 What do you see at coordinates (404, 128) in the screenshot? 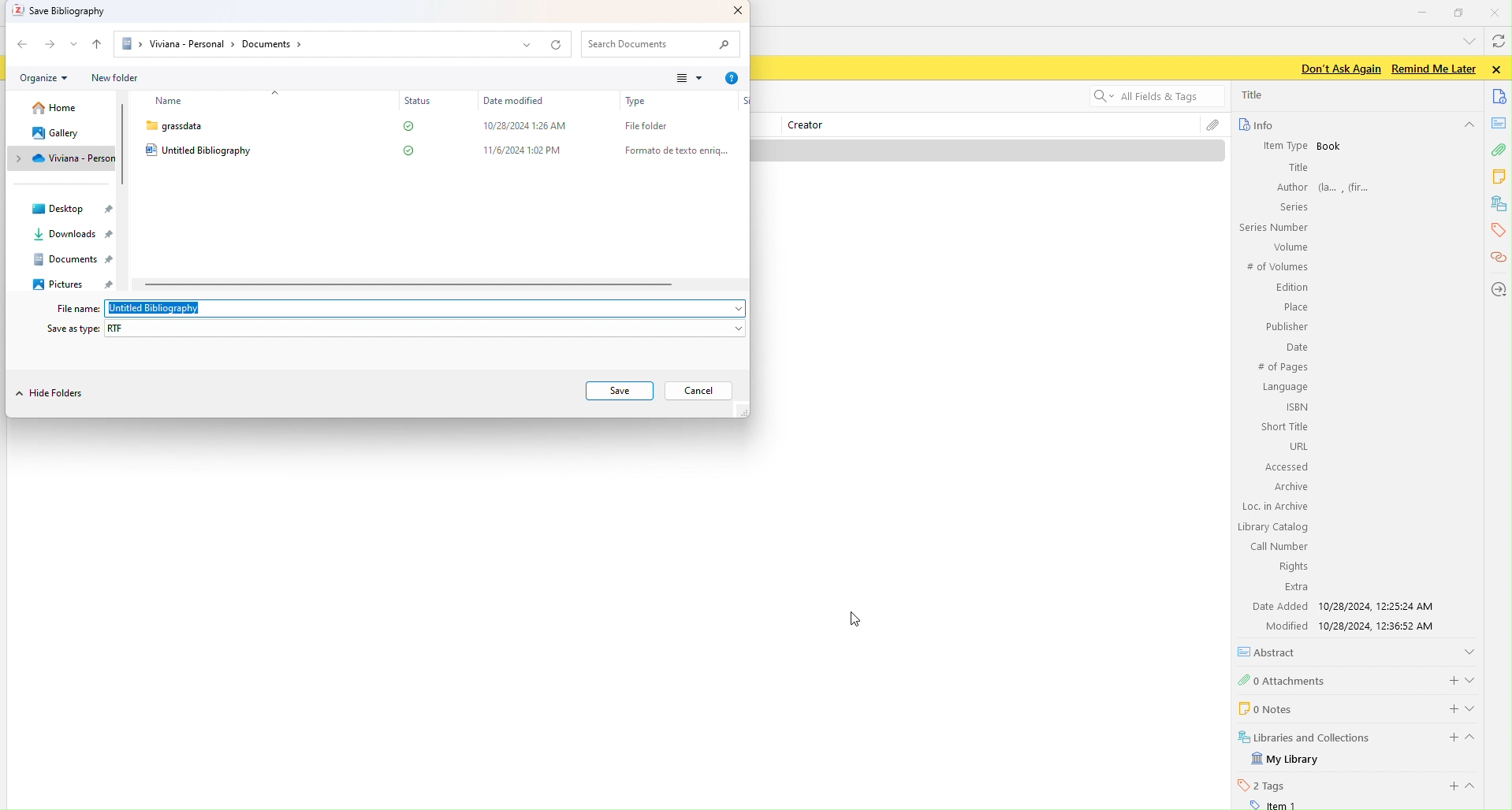
I see `Check` at bounding box center [404, 128].